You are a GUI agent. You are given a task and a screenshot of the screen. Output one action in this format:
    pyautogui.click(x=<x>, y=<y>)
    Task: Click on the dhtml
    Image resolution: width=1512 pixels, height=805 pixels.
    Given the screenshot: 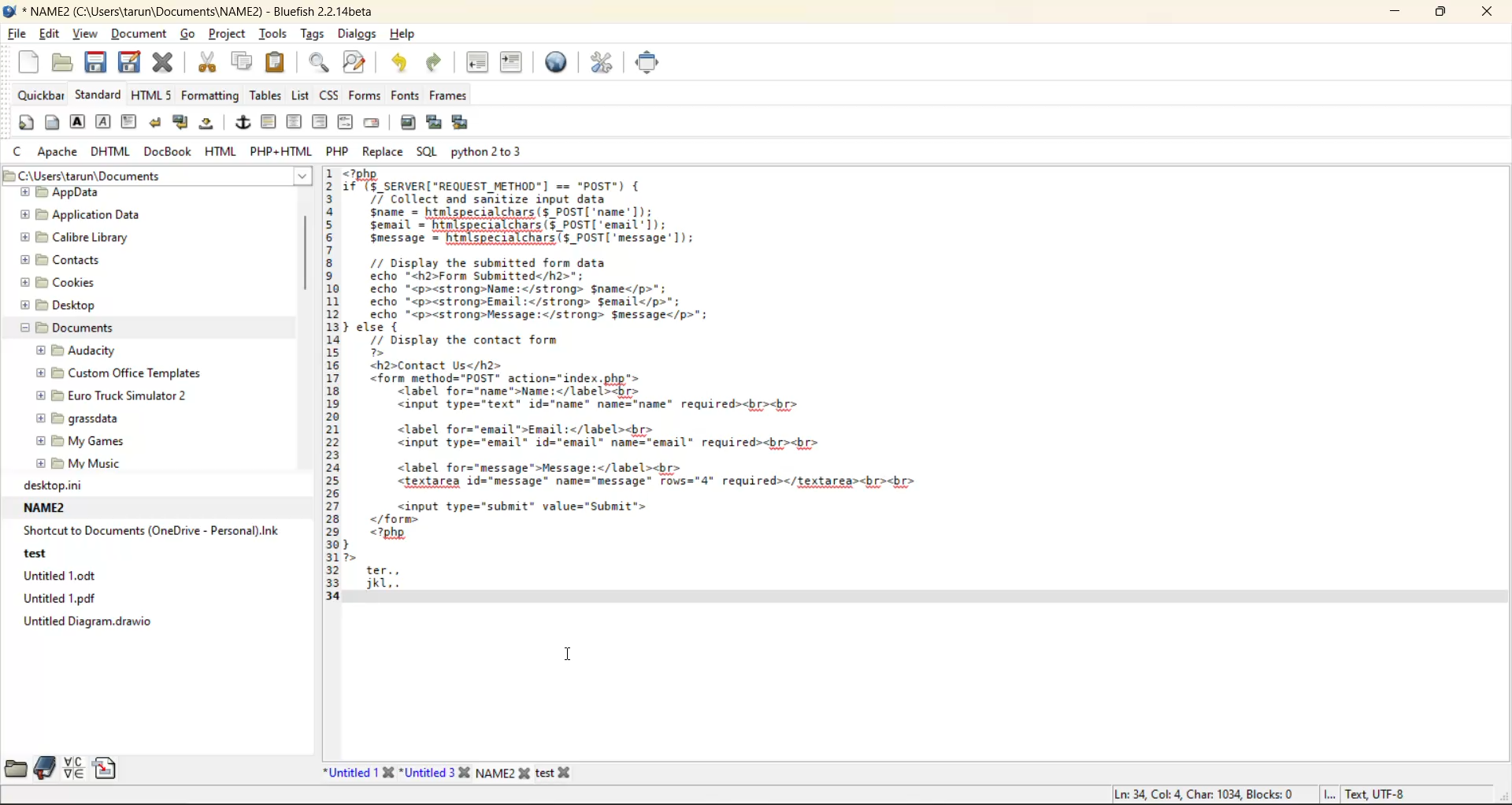 What is the action you would take?
    pyautogui.click(x=111, y=150)
    